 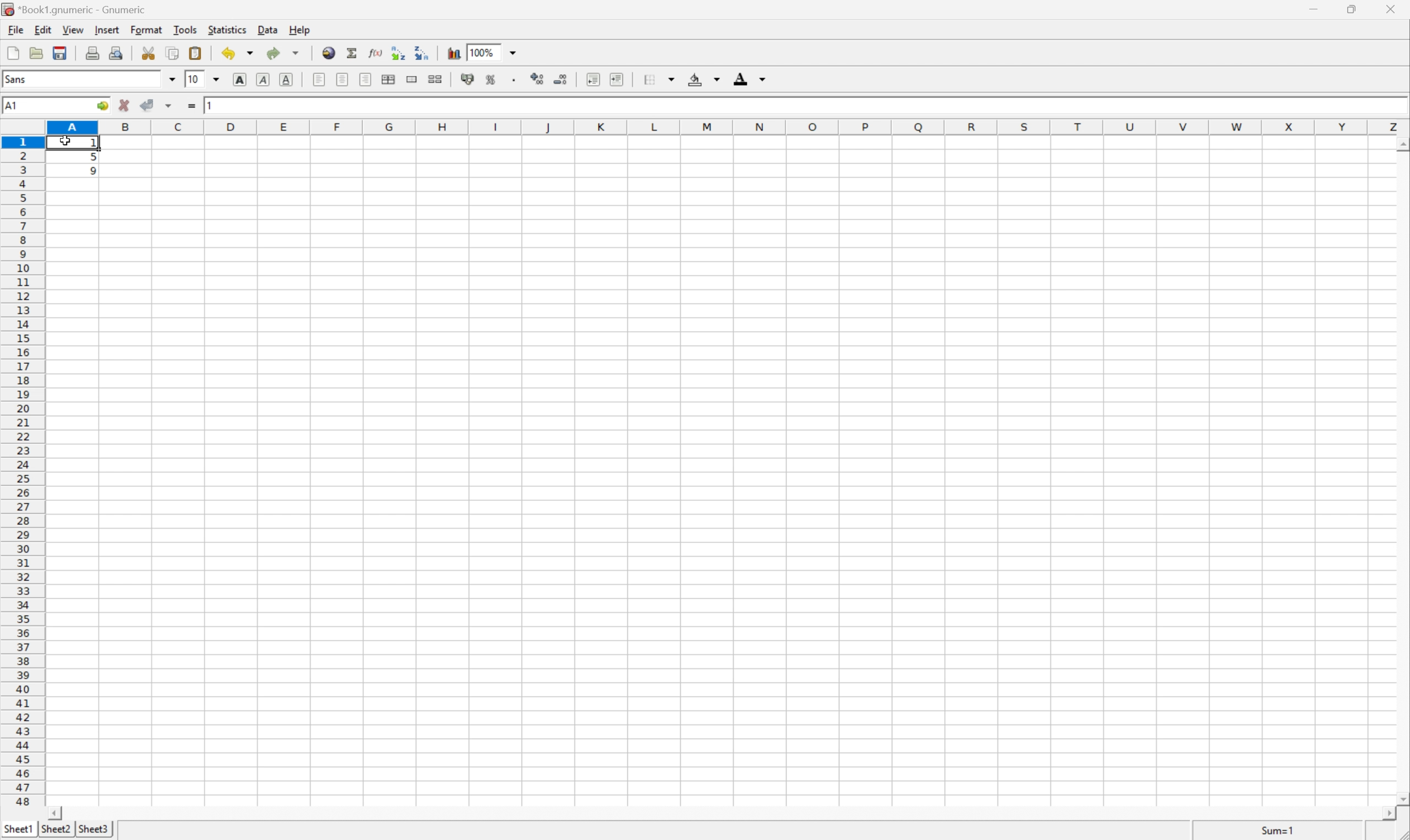 What do you see at coordinates (93, 158) in the screenshot?
I see `5` at bounding box center [93, 158].